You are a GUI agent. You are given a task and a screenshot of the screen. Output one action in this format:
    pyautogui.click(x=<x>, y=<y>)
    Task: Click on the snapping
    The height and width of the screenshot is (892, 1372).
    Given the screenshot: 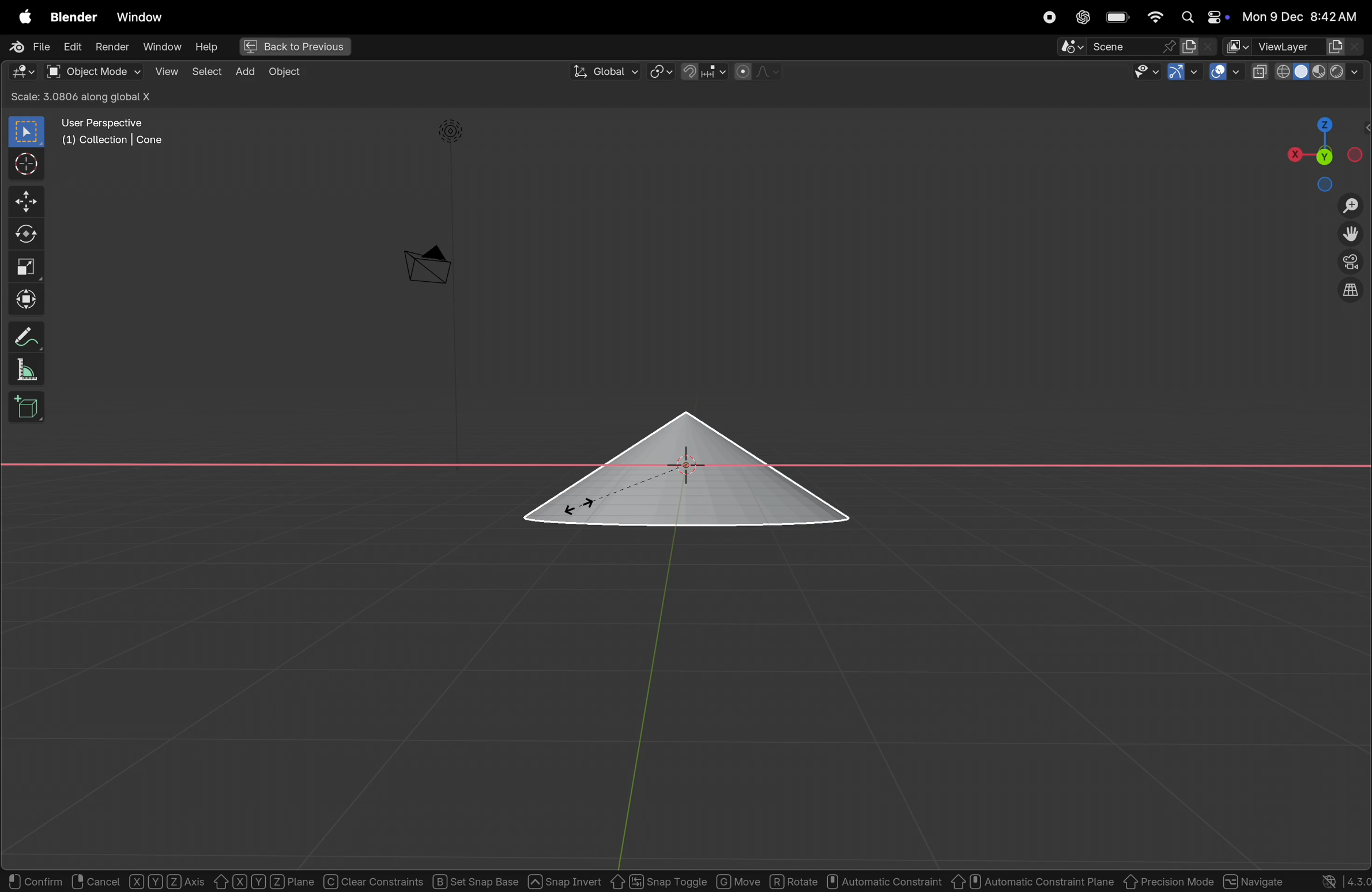 What is the action you would take?
    pyautogui.click(x=705, y=71)
    